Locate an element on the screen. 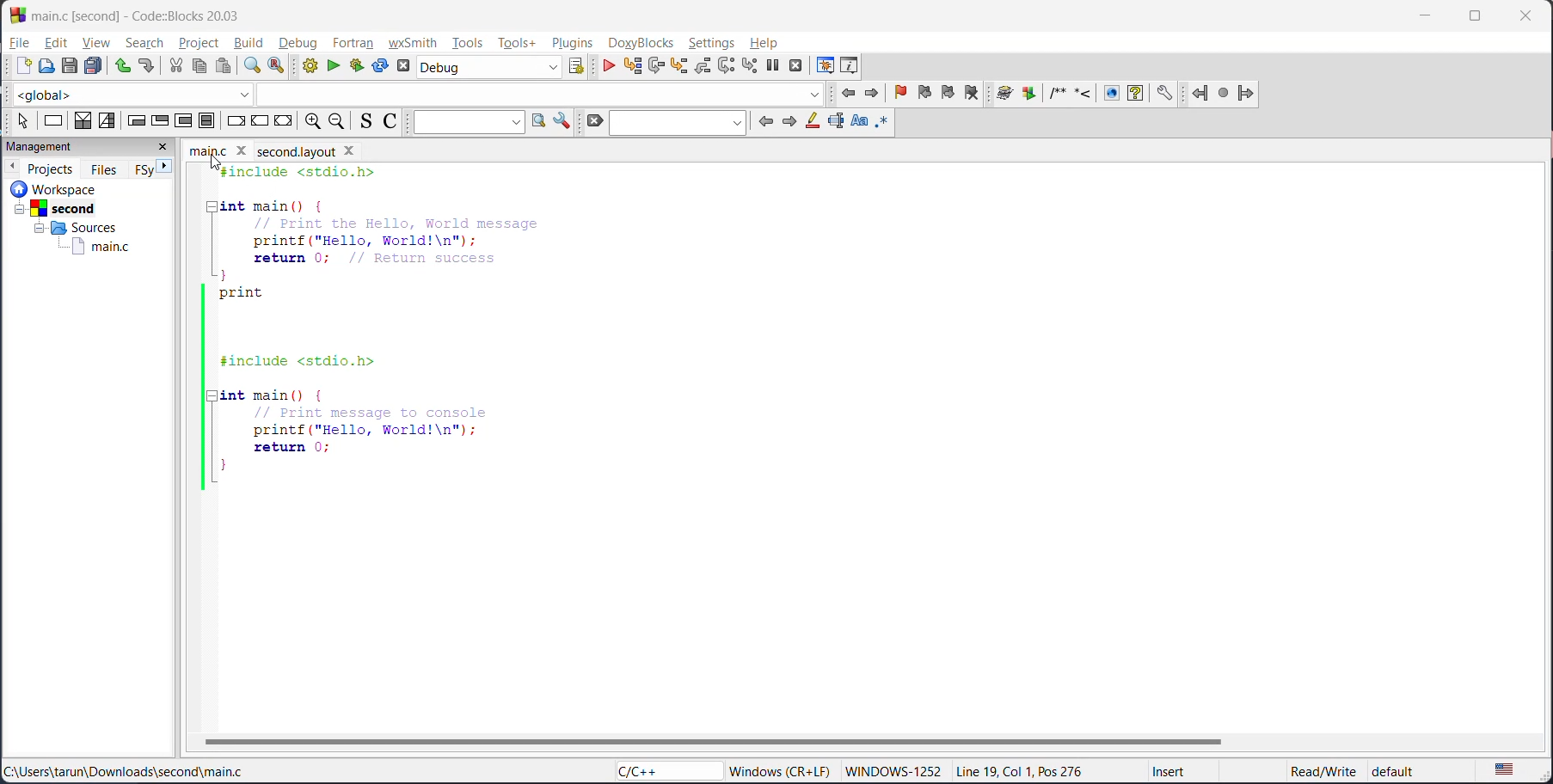 This screenshot has width=1553, height=784. management is located at coordinates (40, 147).